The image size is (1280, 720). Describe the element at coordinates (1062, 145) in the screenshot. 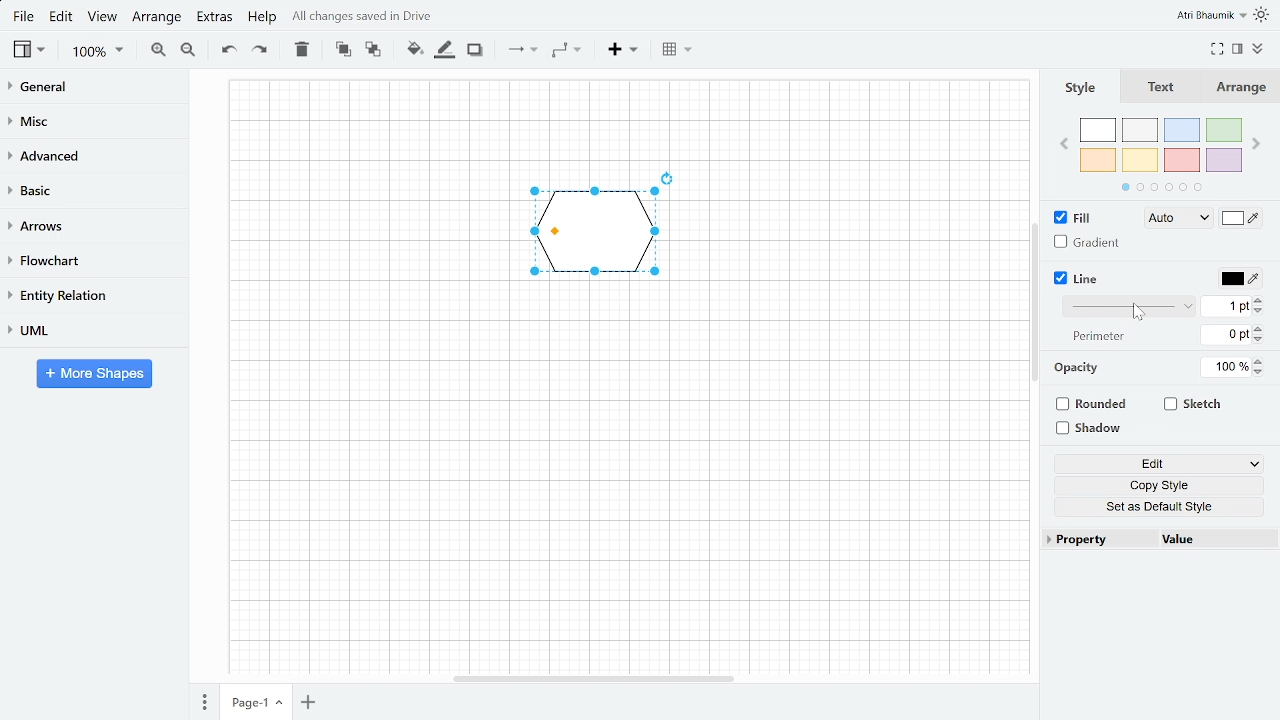

I see `Previous` at that location.